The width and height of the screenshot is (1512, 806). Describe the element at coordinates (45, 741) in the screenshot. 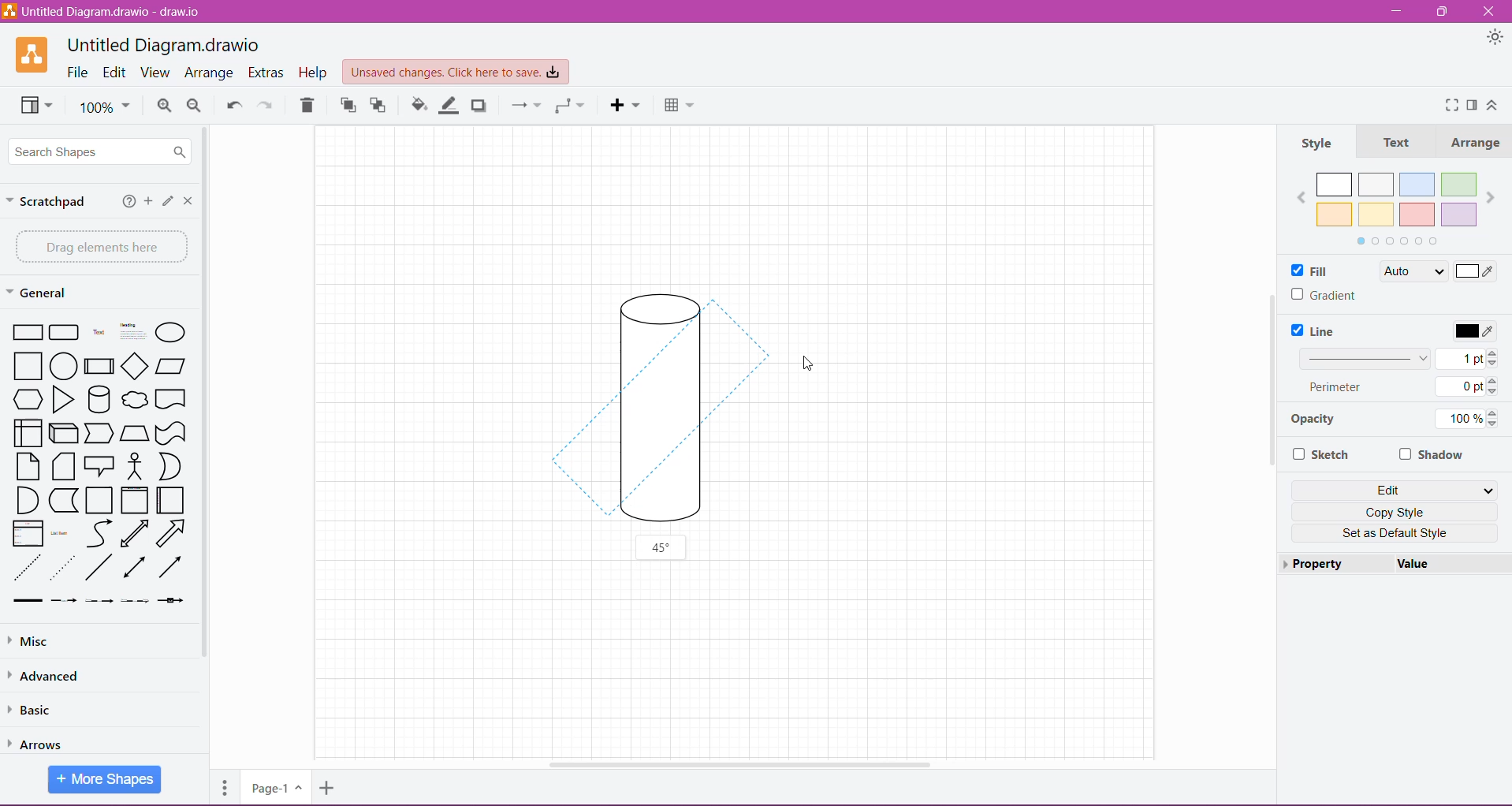

I see `Arrows` at that location.